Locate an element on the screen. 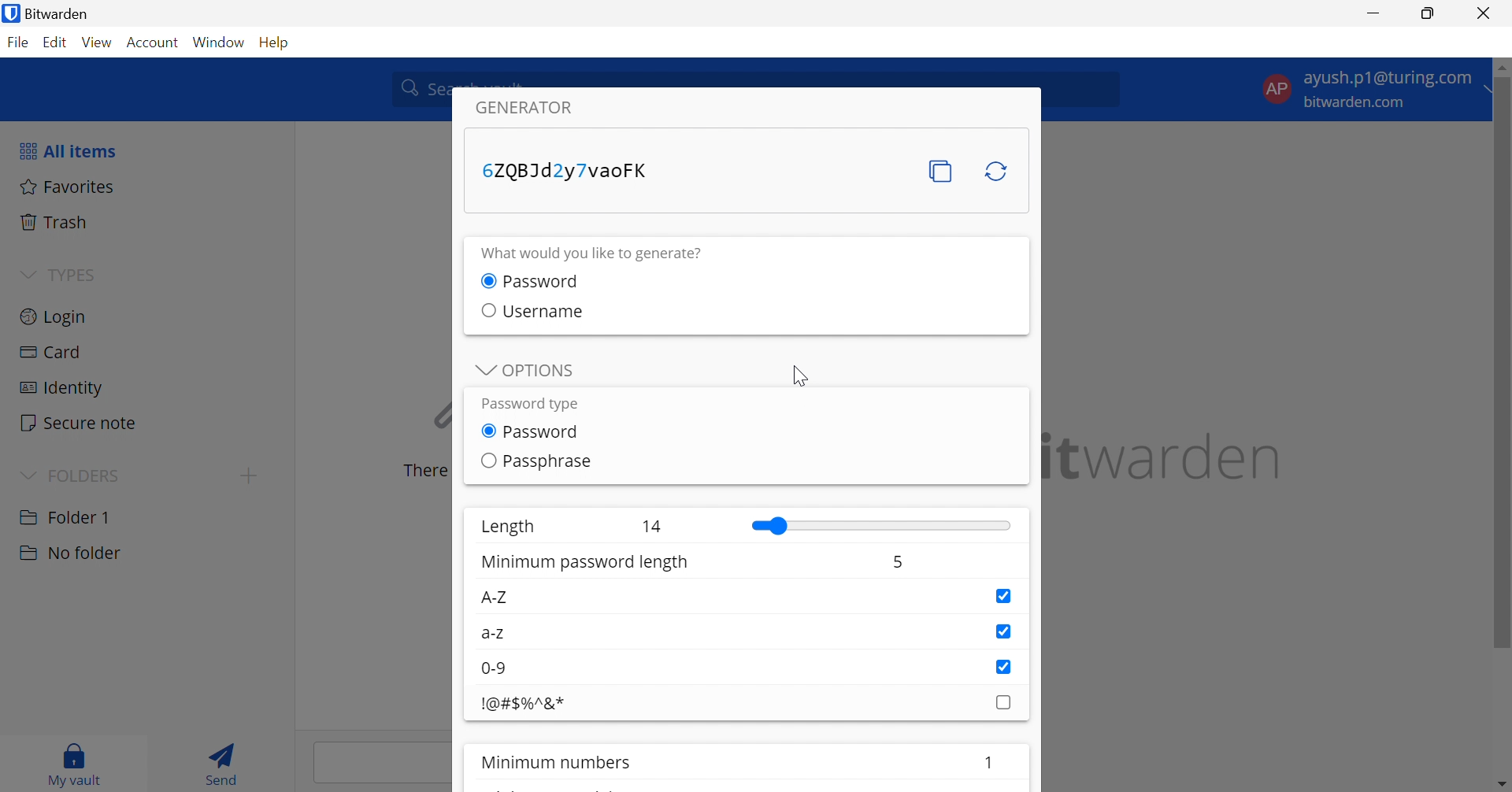  Length is located at coordinates (506, 527).